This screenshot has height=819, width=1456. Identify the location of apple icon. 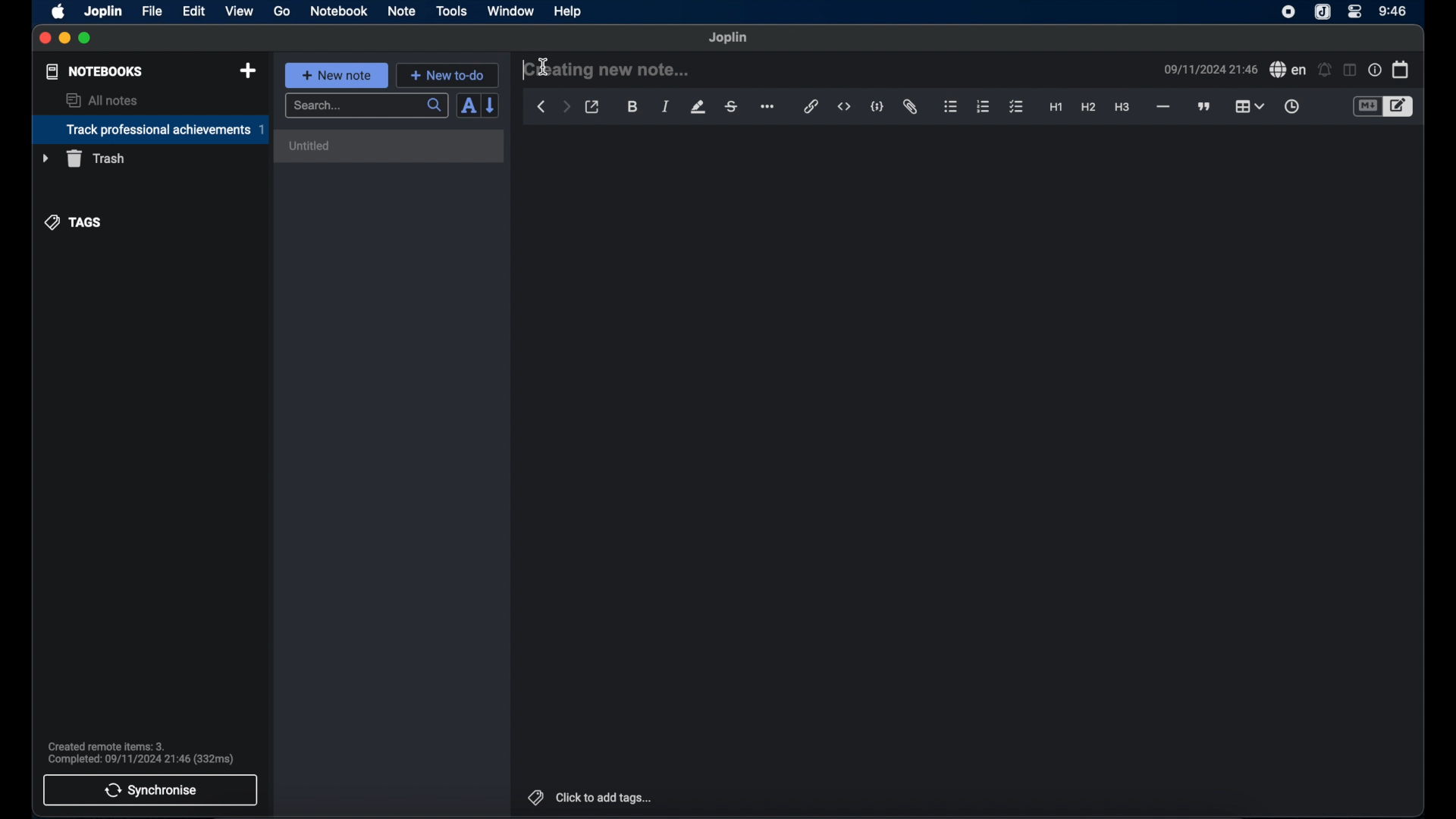
(59, 11).